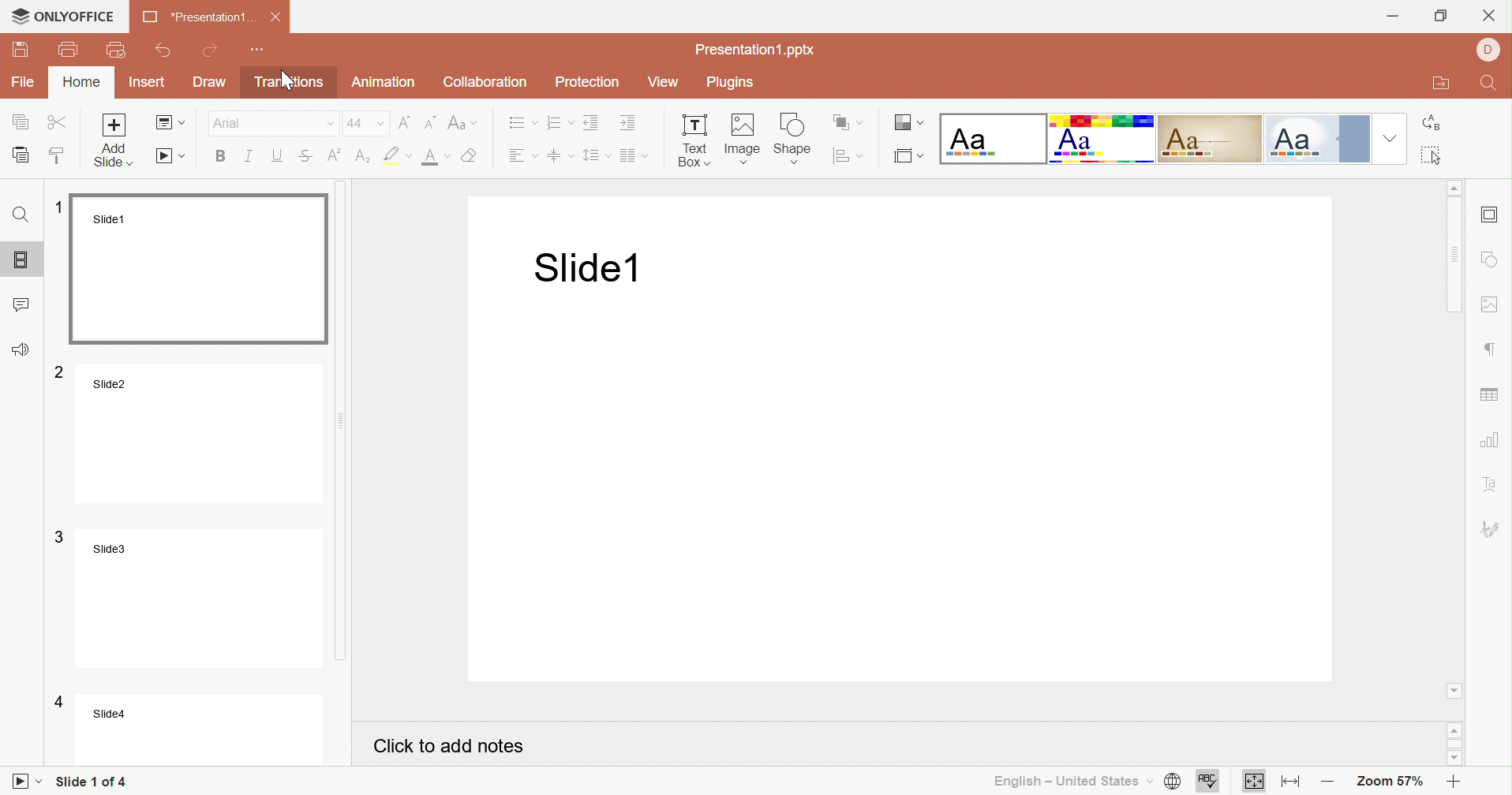  Describe the element at coordinates (24, 301) in the screenshot. I see `Comments` at that location.